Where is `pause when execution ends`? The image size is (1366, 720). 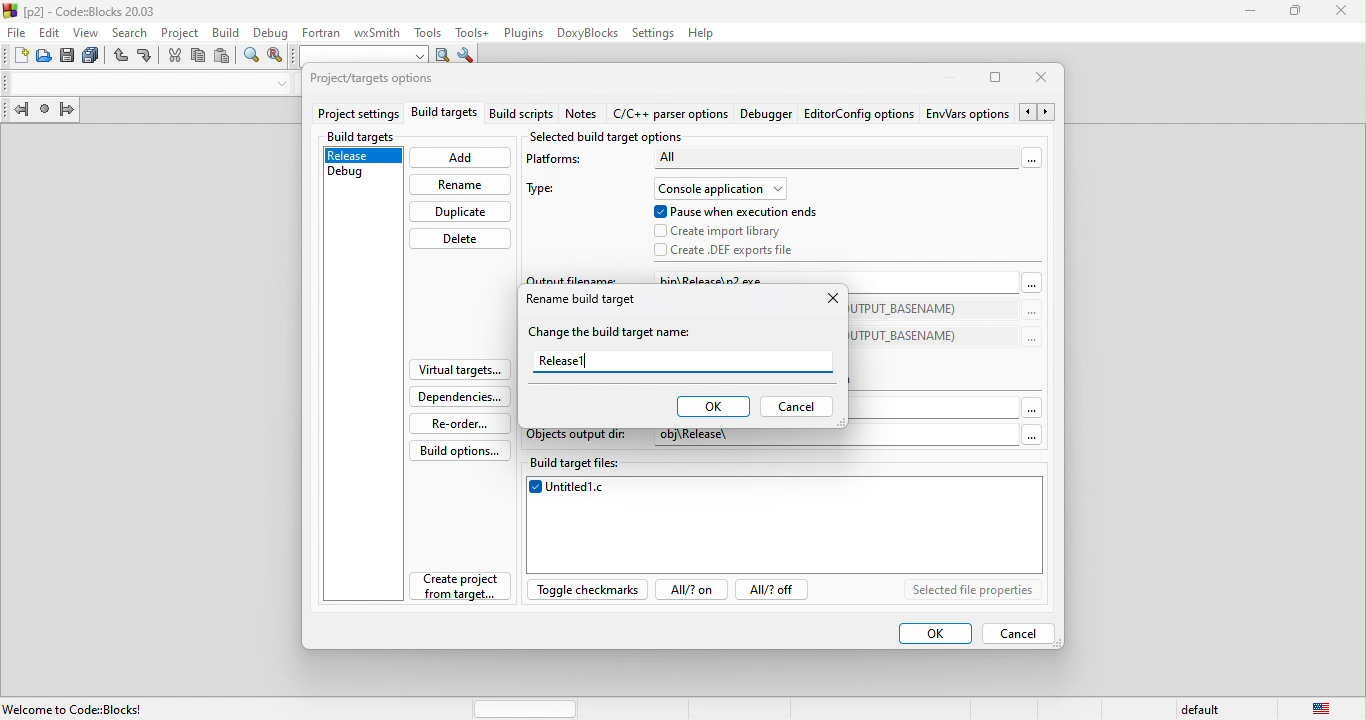
pause when execution ends is located at coordinates (736, 212).